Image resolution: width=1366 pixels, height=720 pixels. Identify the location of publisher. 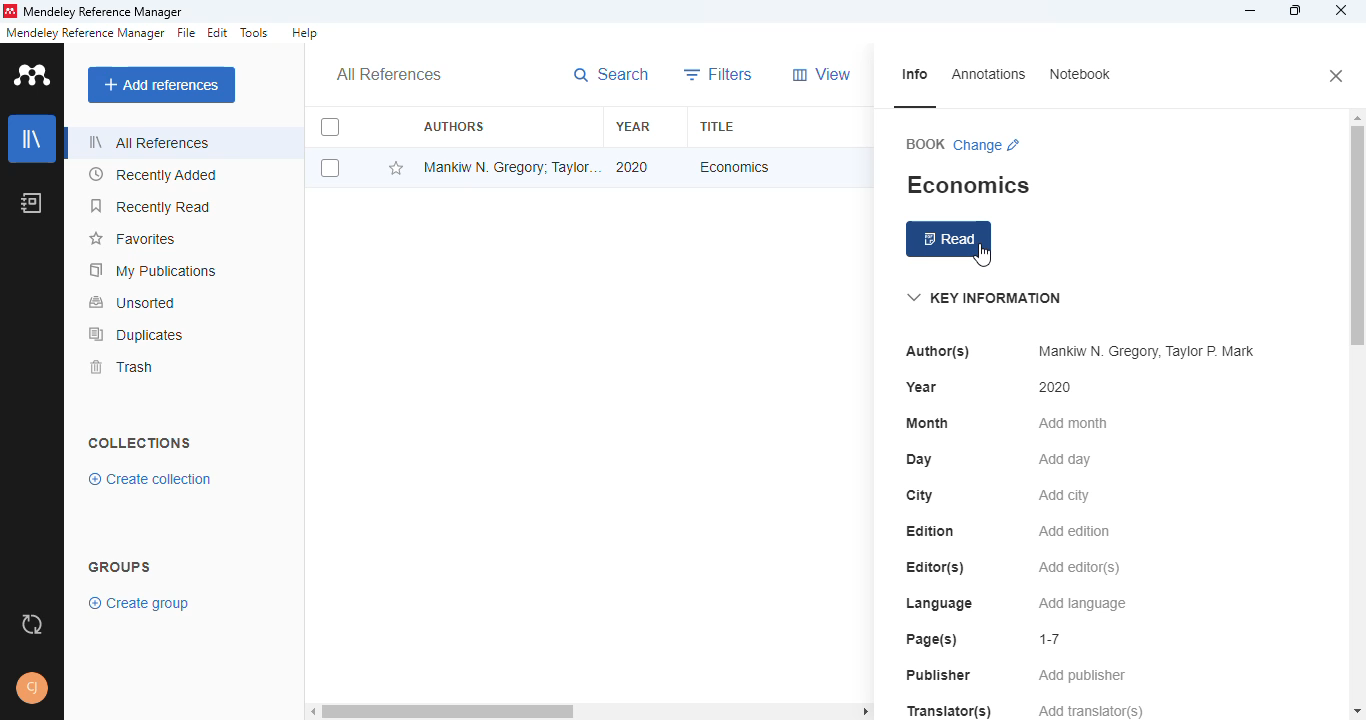
(939, 675).